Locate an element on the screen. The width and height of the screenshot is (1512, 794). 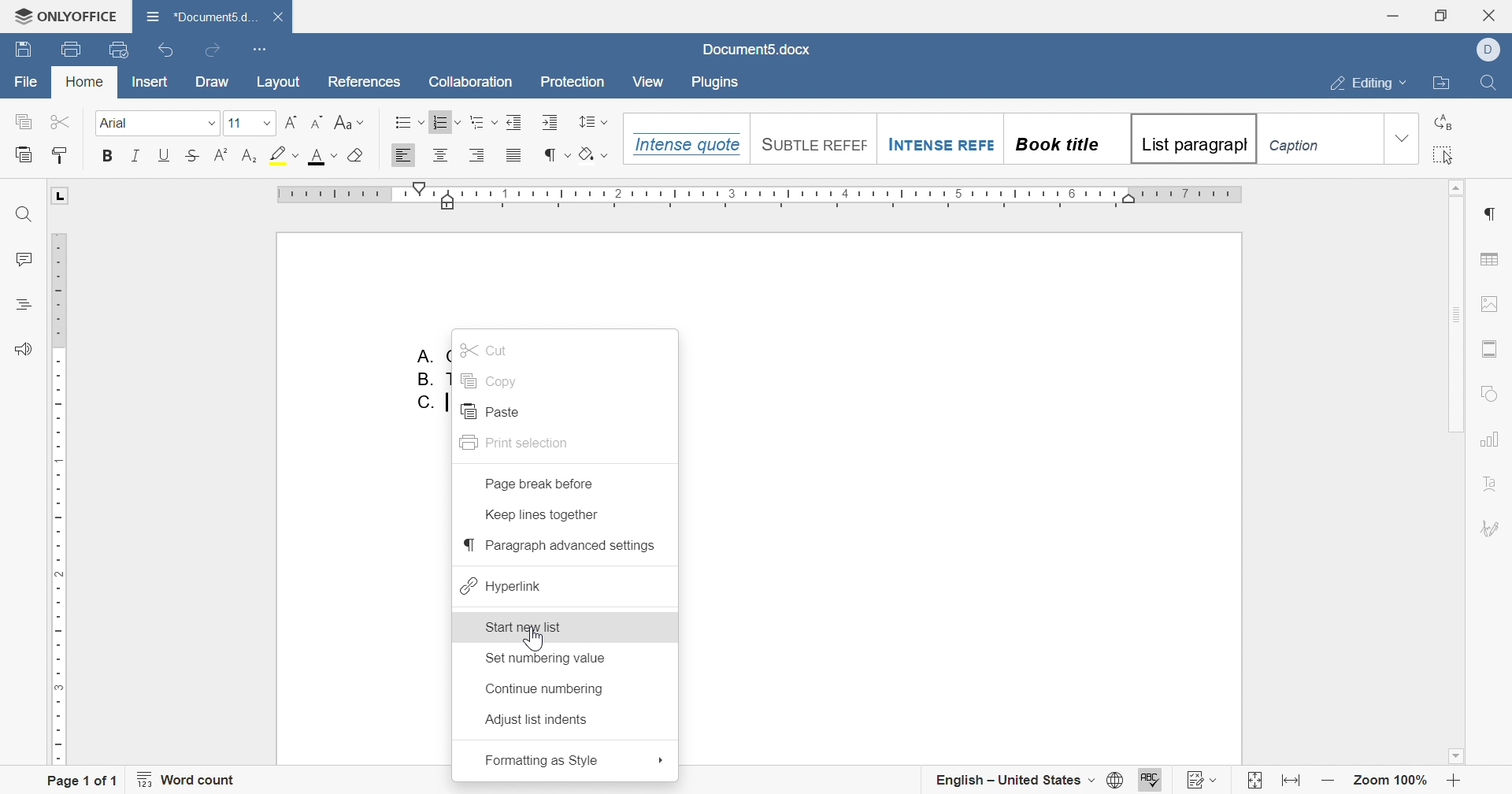
zoom out is located at coordinates (1331, 783).